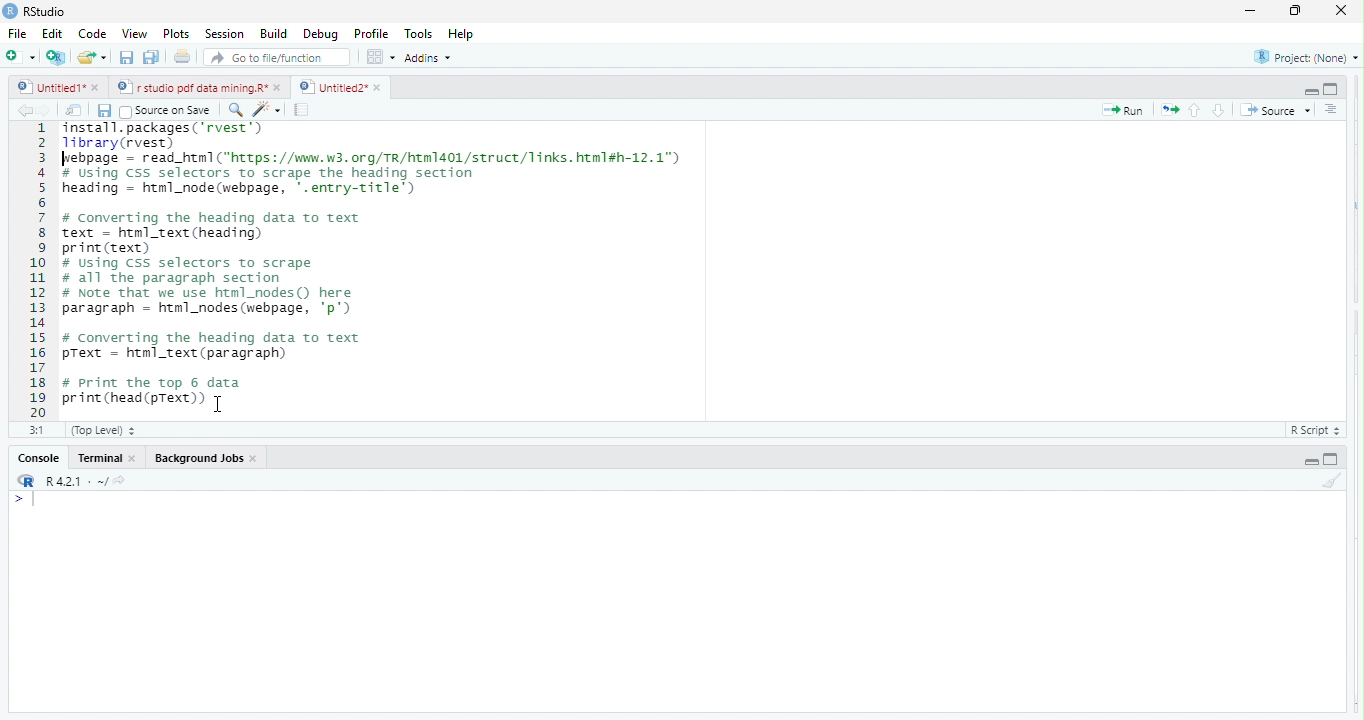 This screenshot has width=1364, height=720. Describe the element at coordinates (10, 10) in the screenshot. I see `rs studio logo` at that location.